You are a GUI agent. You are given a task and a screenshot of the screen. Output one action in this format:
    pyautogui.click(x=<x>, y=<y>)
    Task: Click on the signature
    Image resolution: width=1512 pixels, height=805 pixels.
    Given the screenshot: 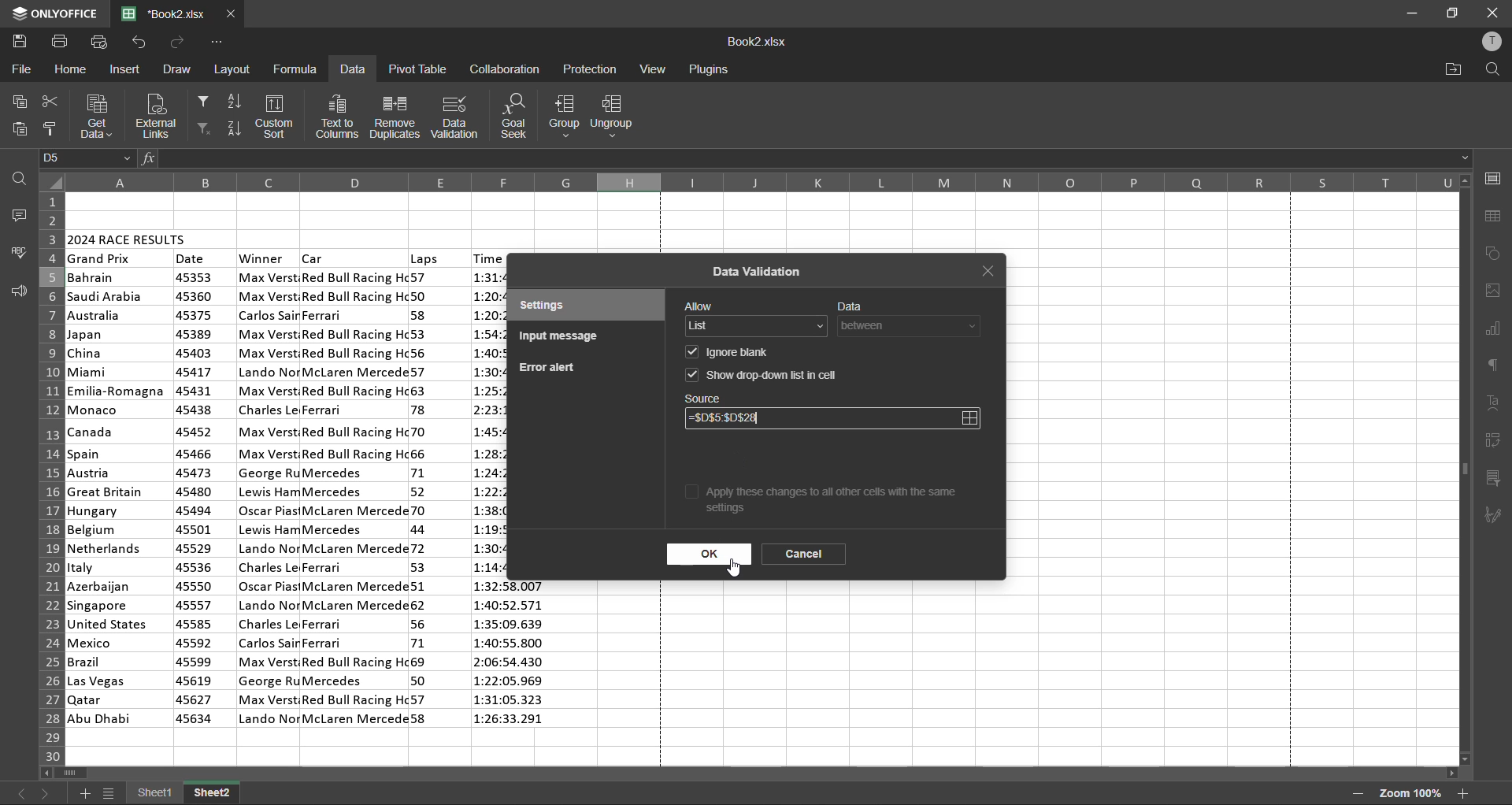 What is the action you would take?
    pyautogui.click(x=1496, y=516)
    